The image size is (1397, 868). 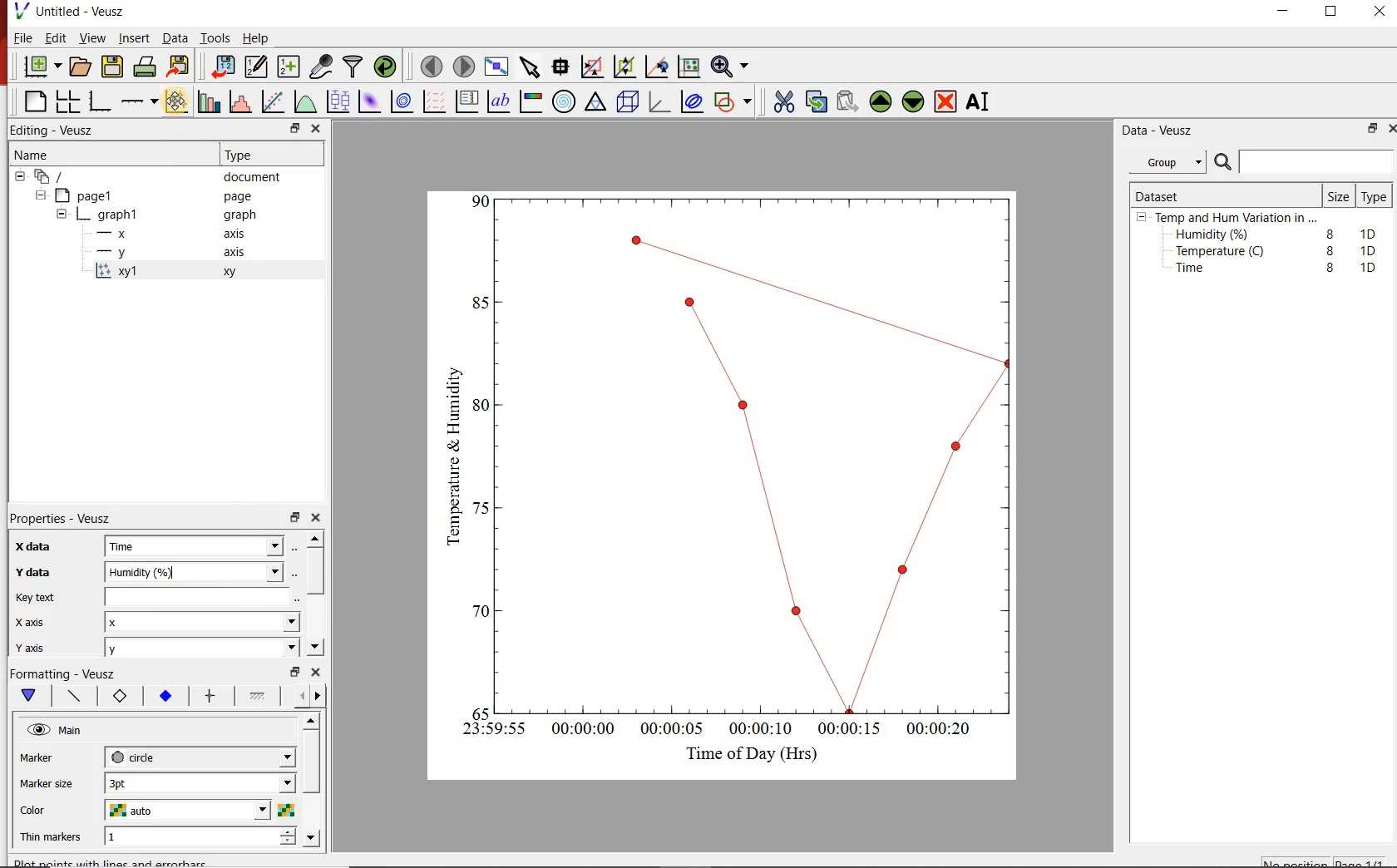 I want to click on 00:00:20, so click(x=945, y=730).